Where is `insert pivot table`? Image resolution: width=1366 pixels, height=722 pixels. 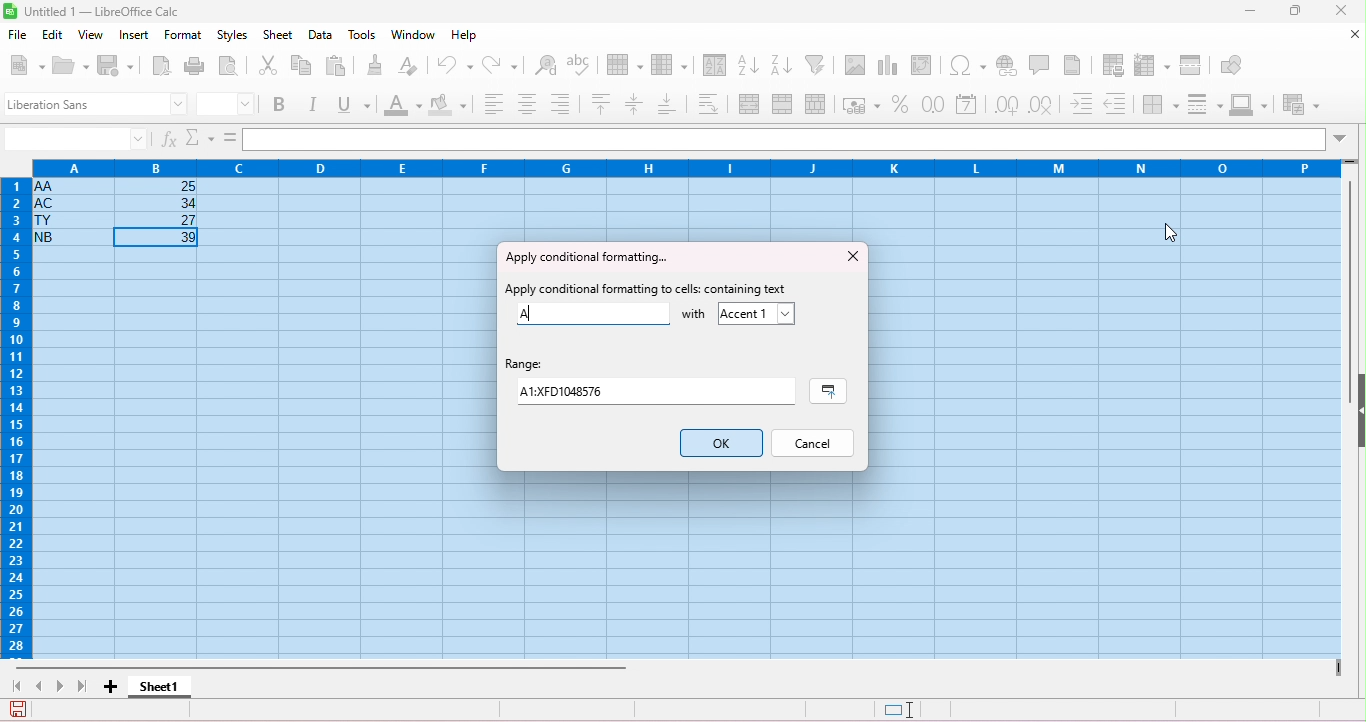 insert pivot table is located at coordinates (925, 64).